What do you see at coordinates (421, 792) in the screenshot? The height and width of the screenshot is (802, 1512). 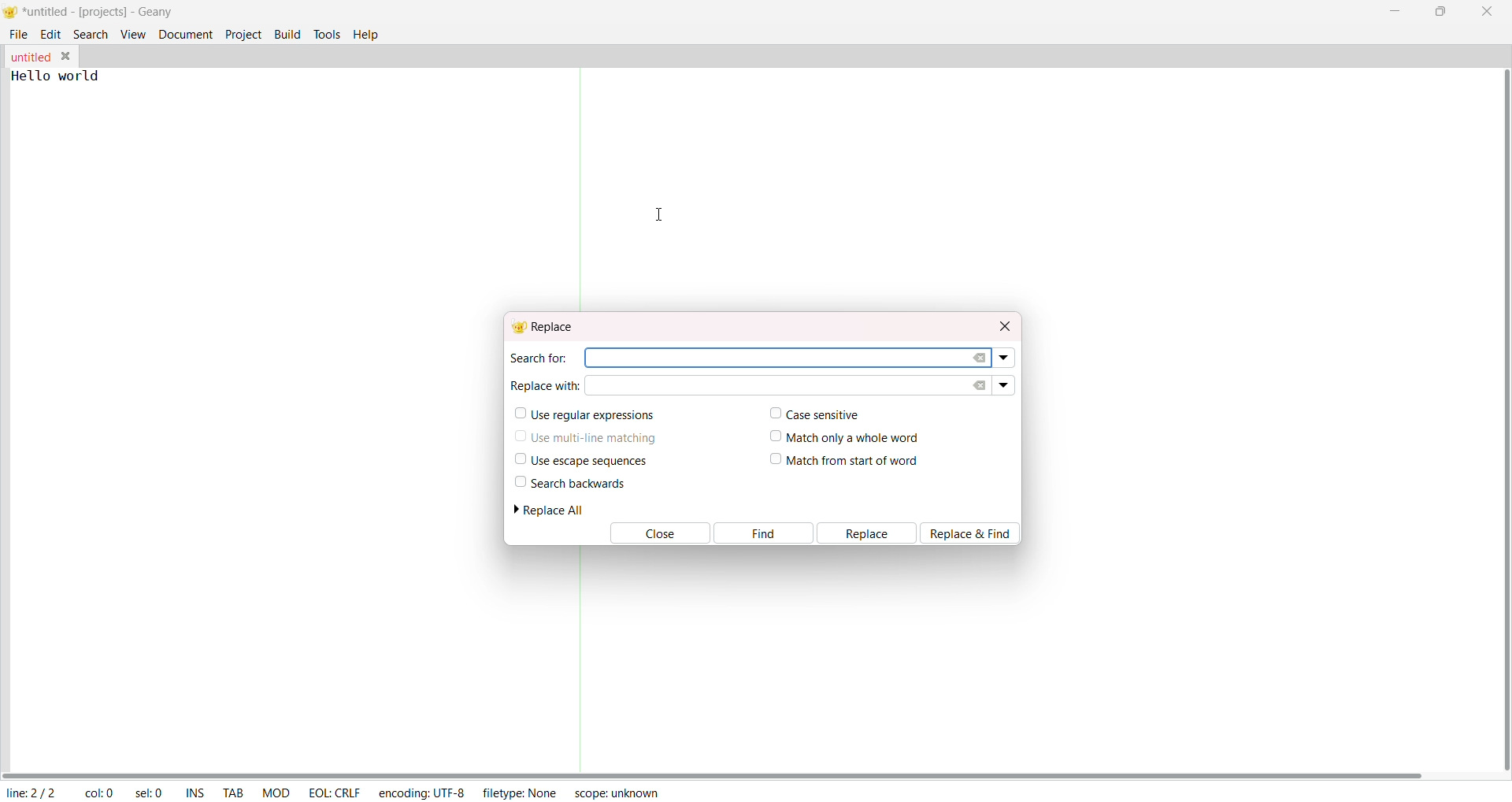 I see `encoding: UTF-8` at bounding box center [421, 792].